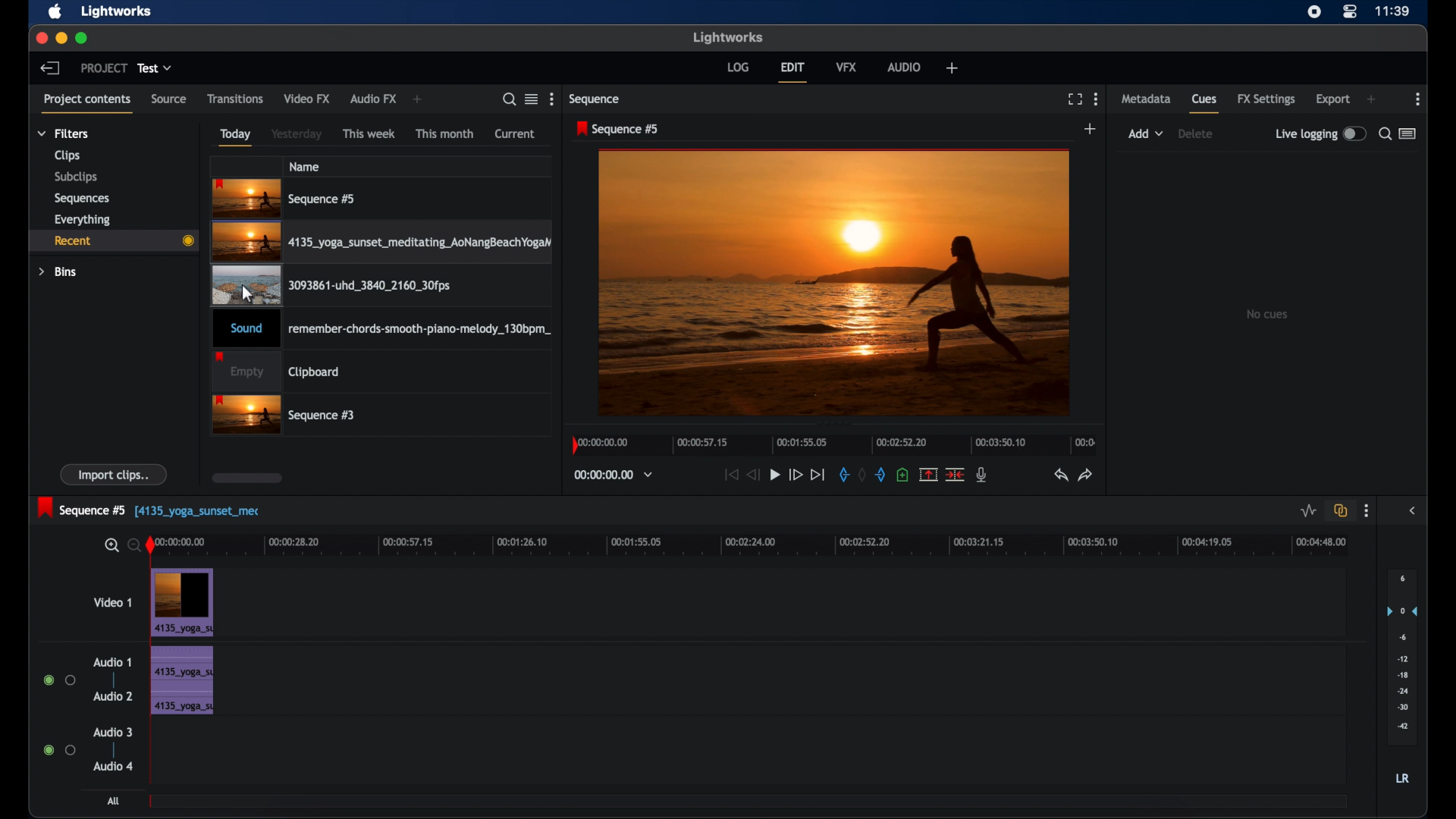 This screenshot has width=1456, height=819. What do you see at coordinates (182, 602) in the screenshot?
I see `video clip` at bounding box center [182, 602].